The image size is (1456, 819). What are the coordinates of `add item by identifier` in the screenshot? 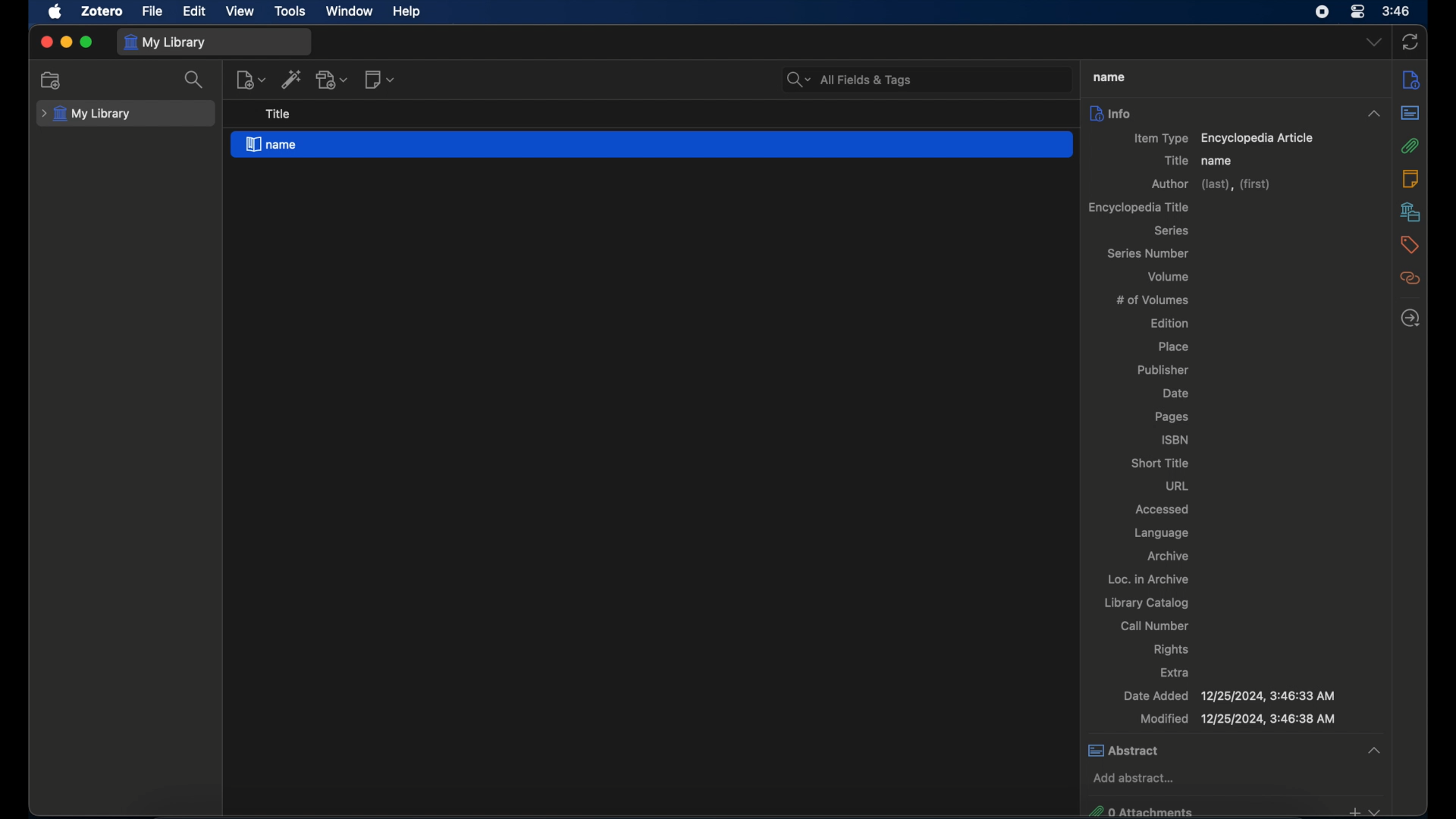 It's located at (293, 79).